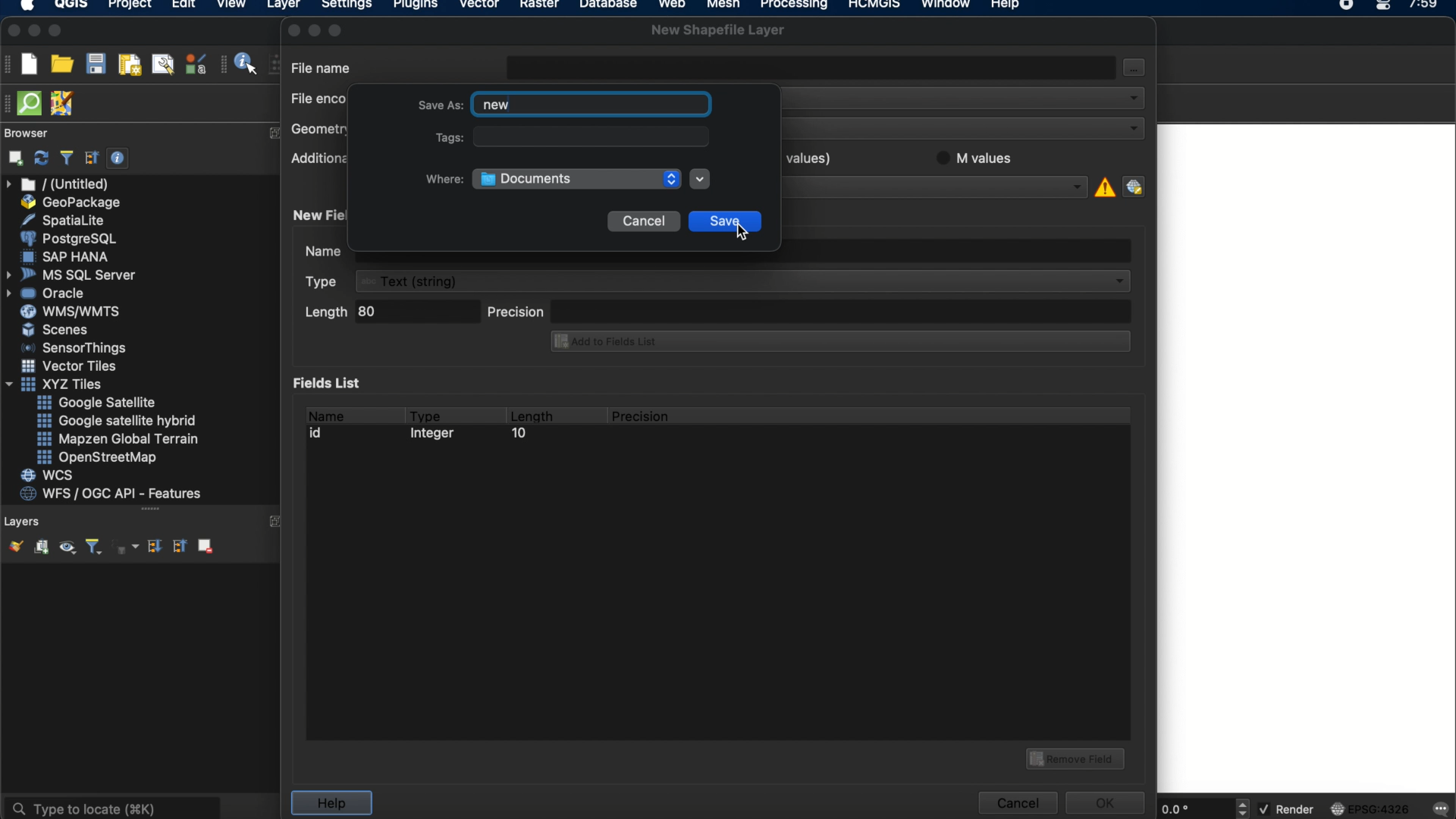 The width and height of the screenshot is (1456, 819). I want to click on ms sql server, so click(74, 274).